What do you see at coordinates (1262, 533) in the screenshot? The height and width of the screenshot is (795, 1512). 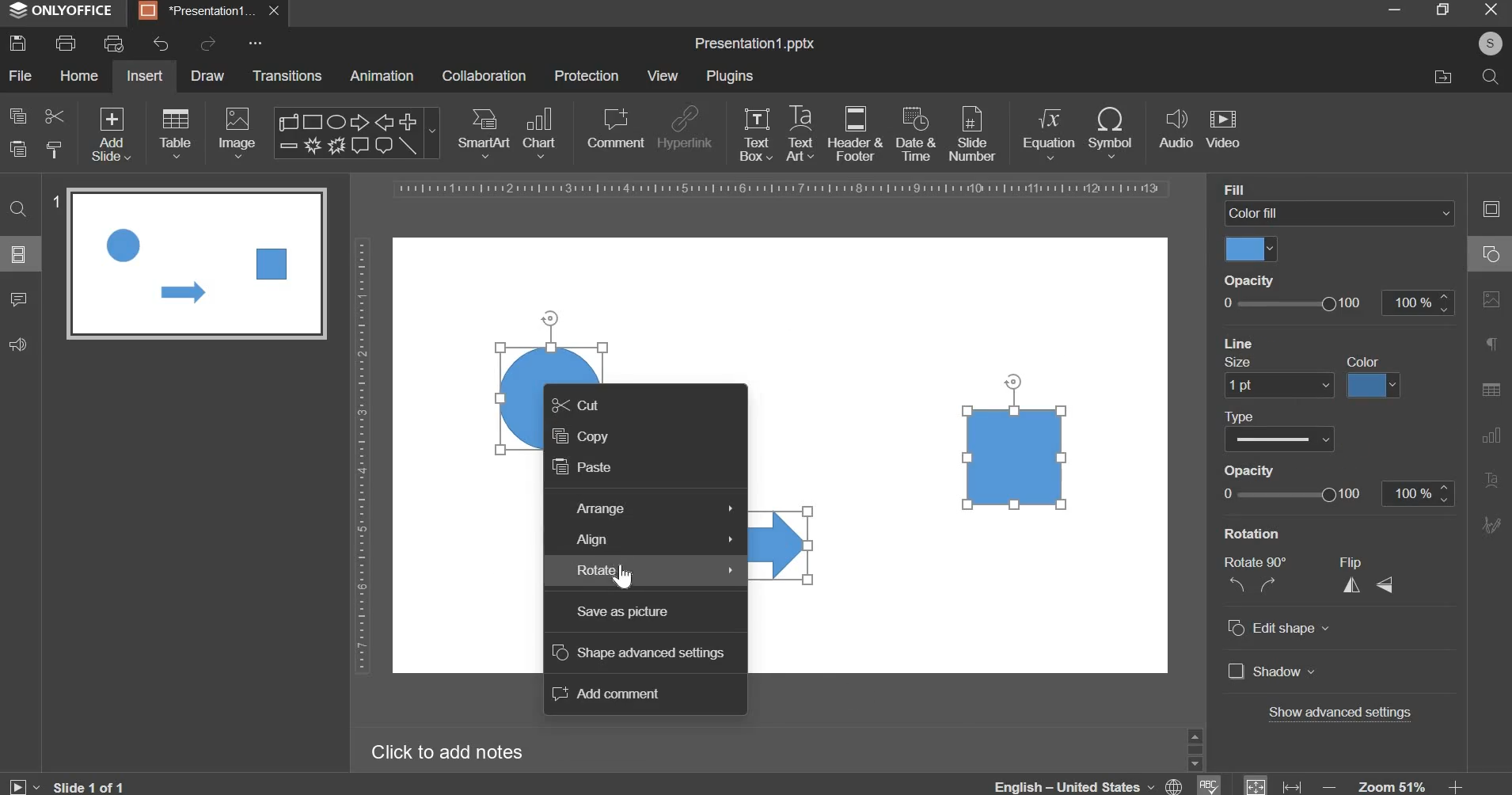 I see `Rotation` at bounding box center [1262, 533].